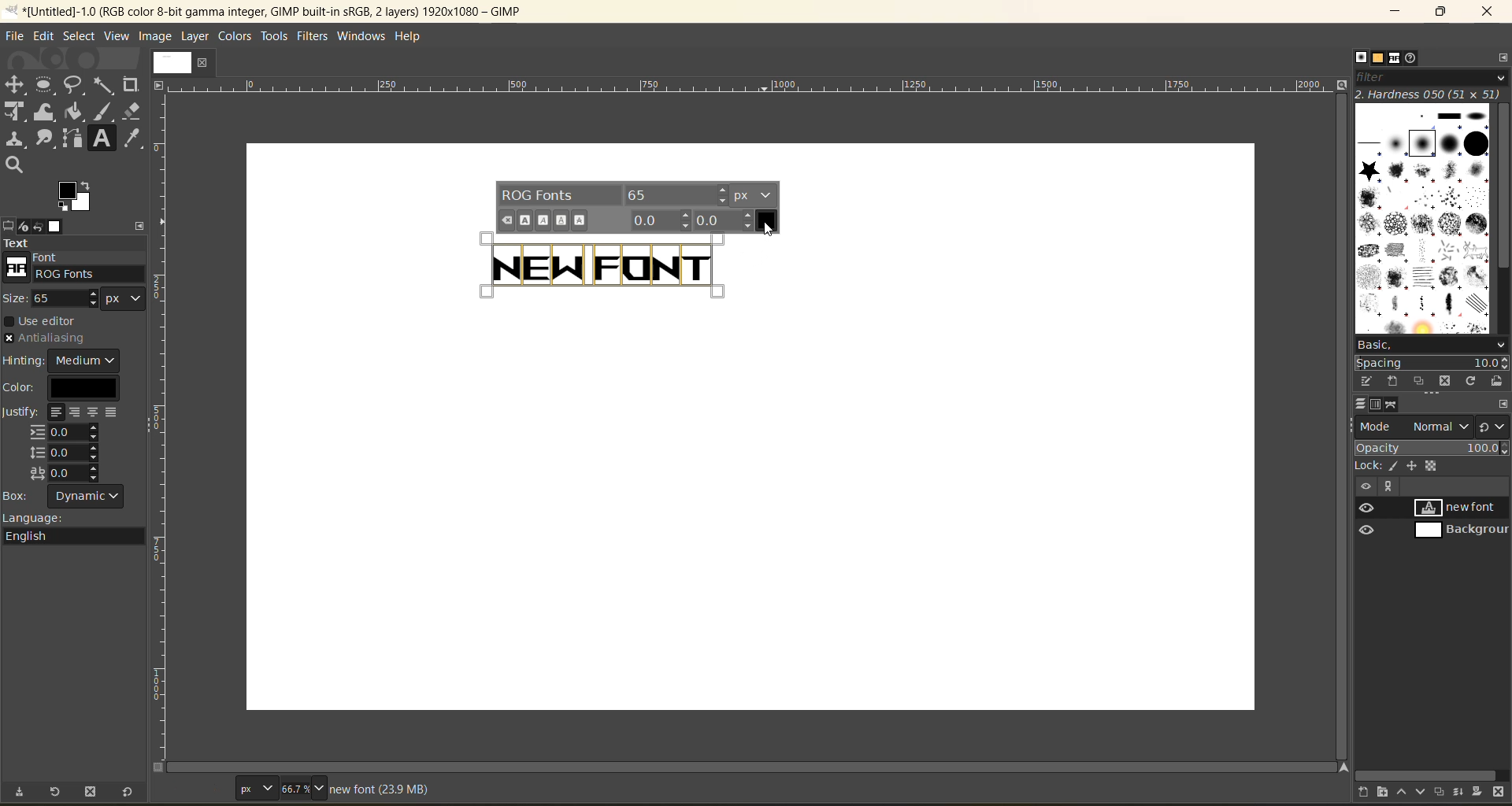  Describe the element at coordinates (255, 787) in the screenshot. I see `type` at that location.